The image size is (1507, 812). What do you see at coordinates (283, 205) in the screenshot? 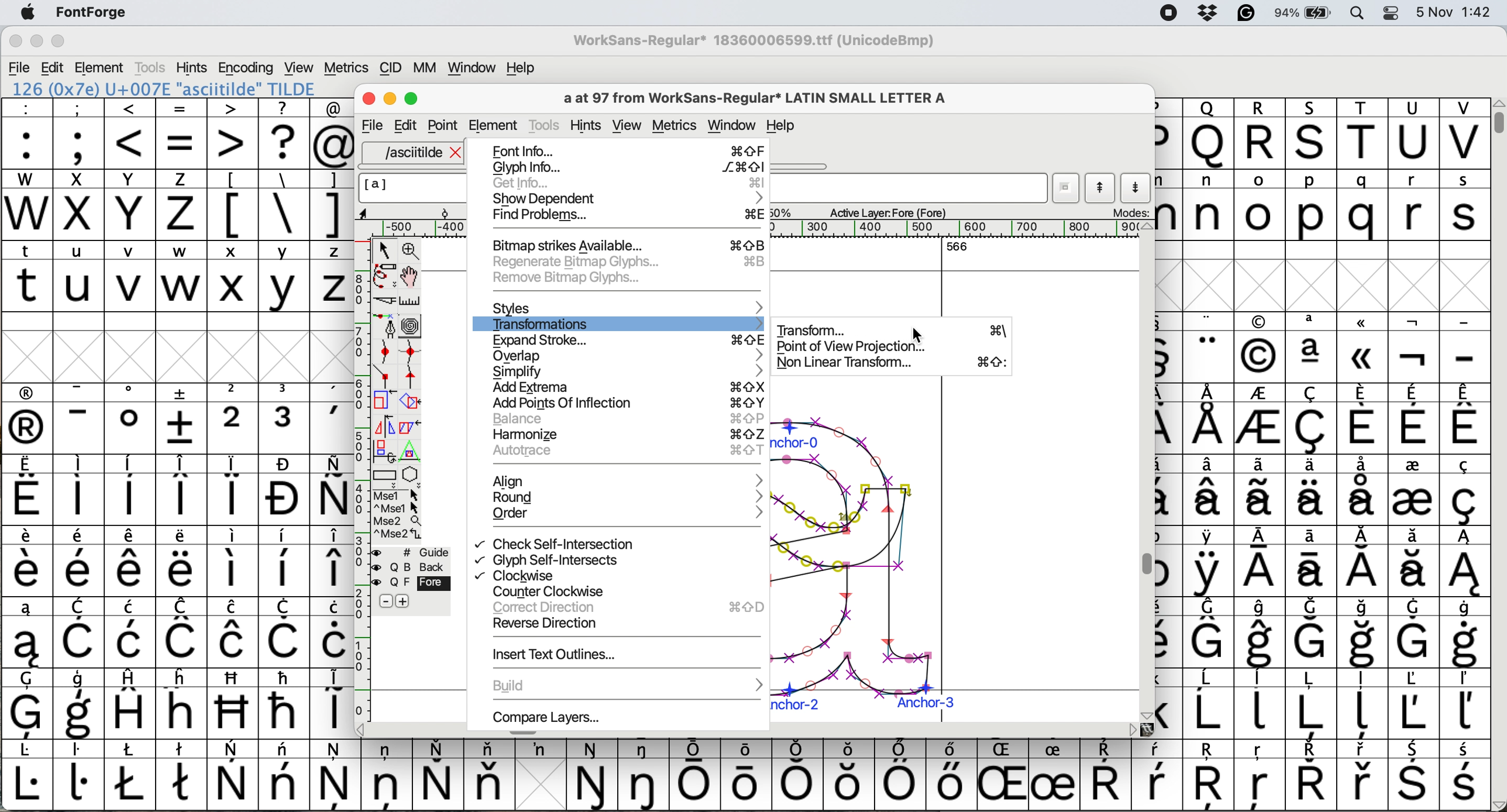
I see `\` at bounding box center [283, 205].